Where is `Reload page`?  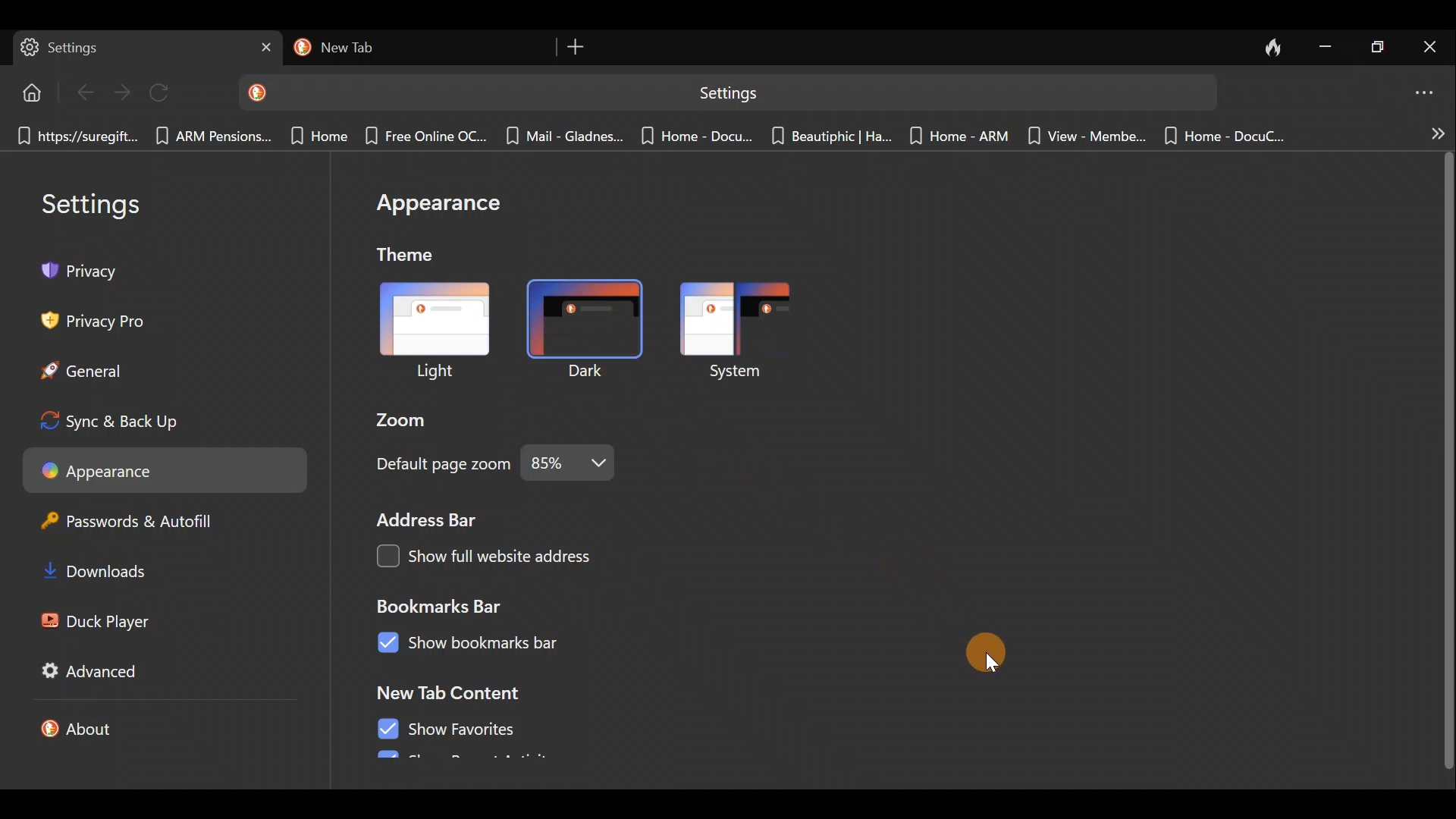
Reload page is located at coordinates (166, 93).